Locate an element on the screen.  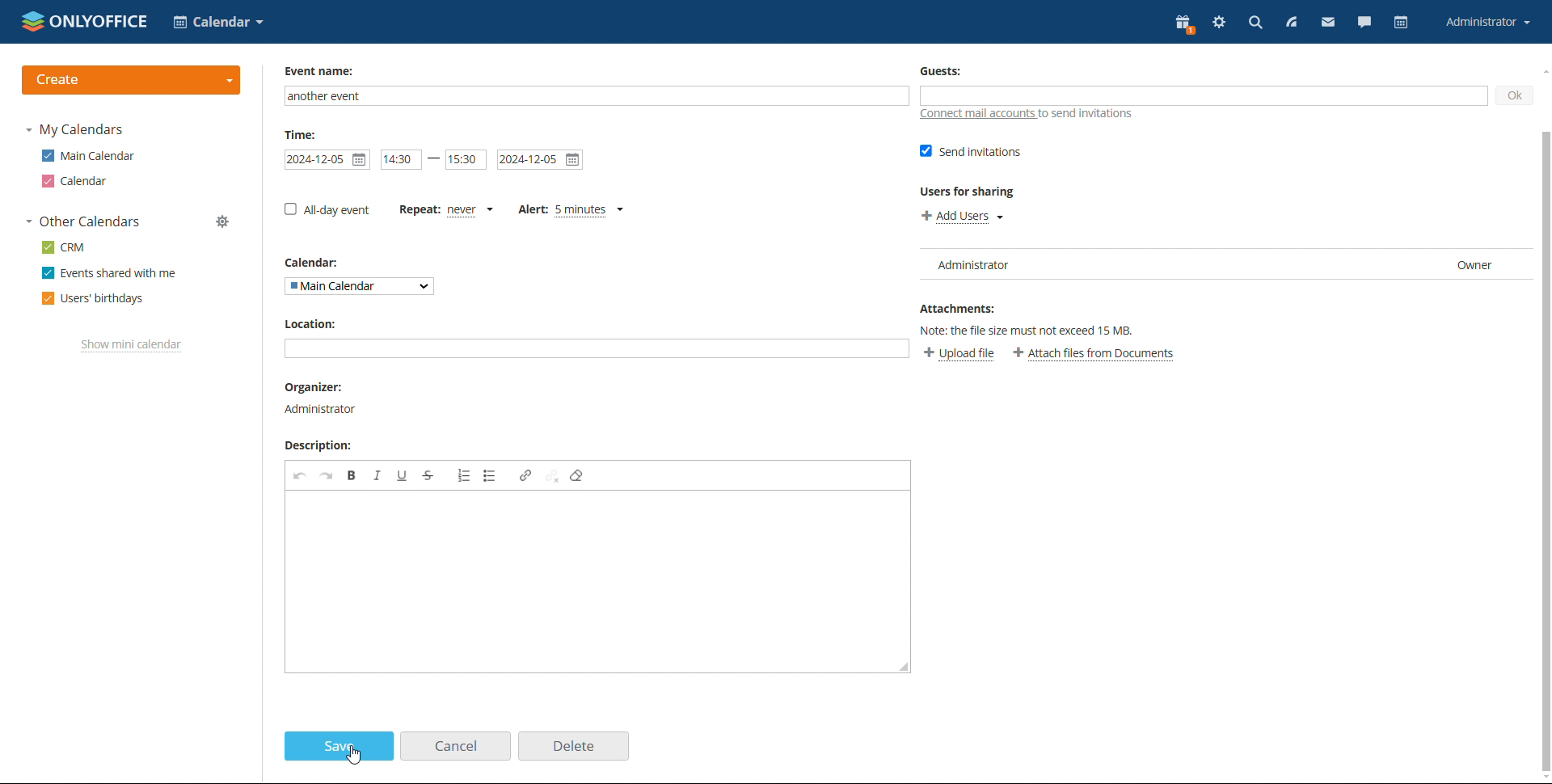
redo is located at coordinates (327, 476).